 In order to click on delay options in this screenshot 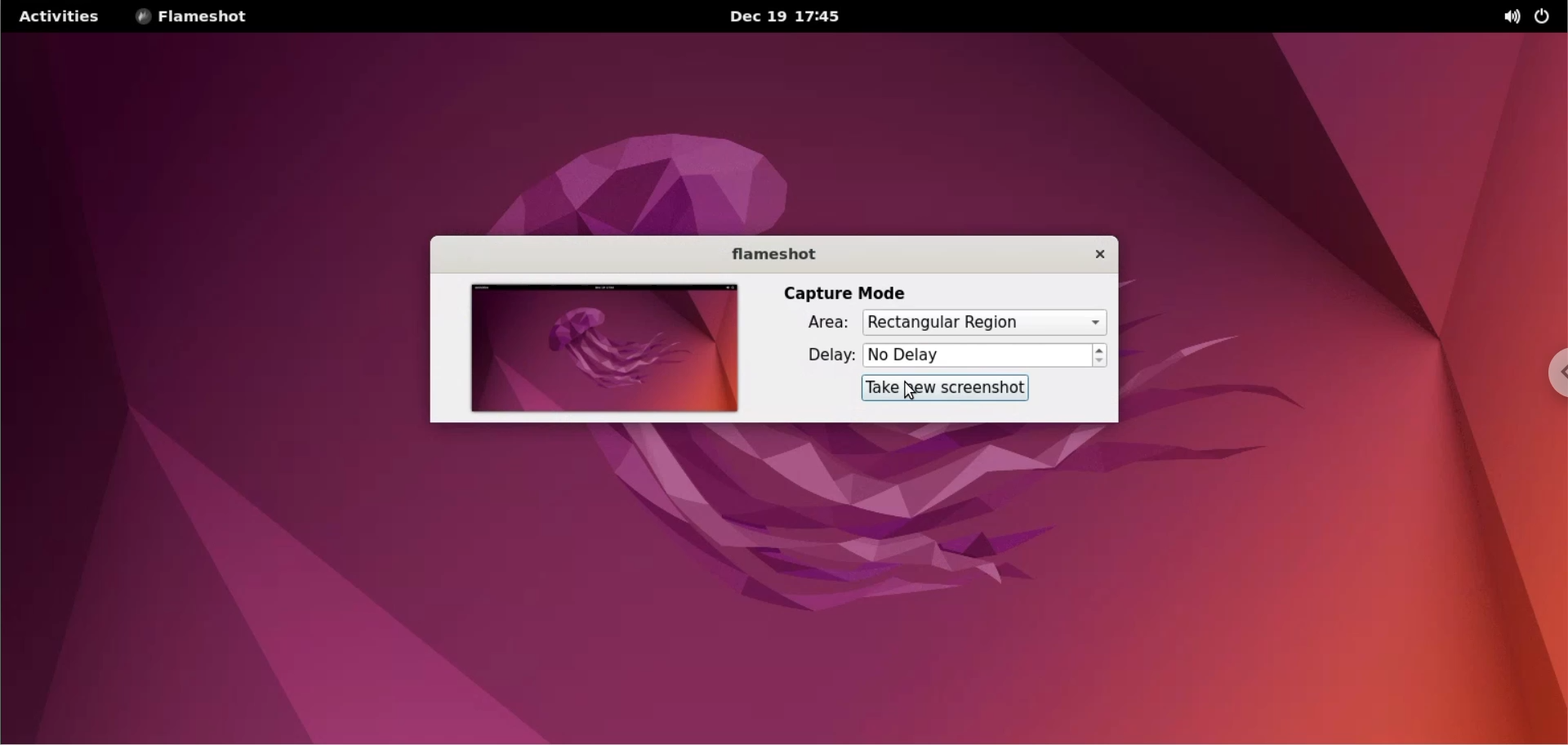, I will do `click(974, 355)`.